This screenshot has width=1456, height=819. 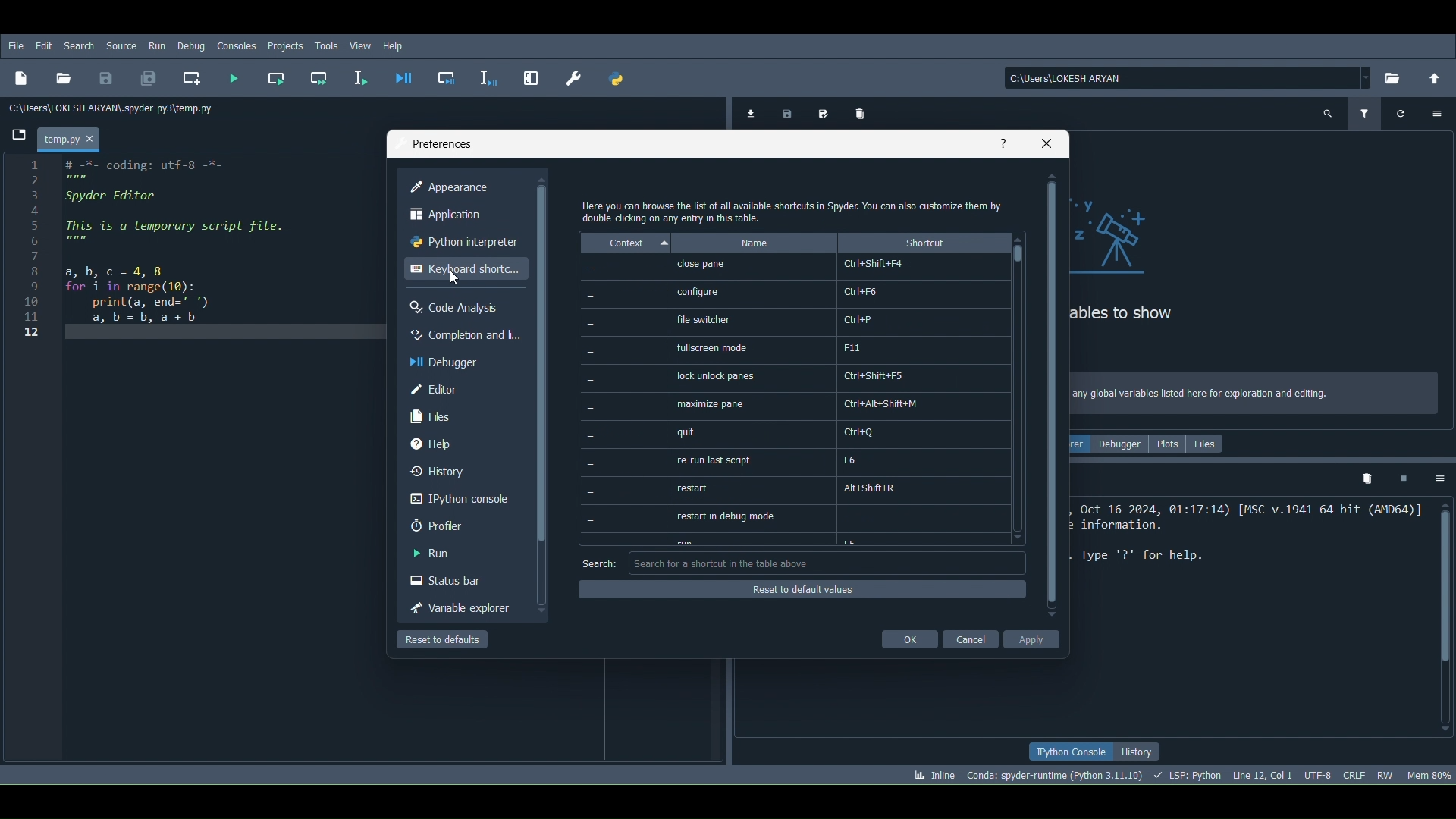 I want to click on Search, so click(x=83, y=47).